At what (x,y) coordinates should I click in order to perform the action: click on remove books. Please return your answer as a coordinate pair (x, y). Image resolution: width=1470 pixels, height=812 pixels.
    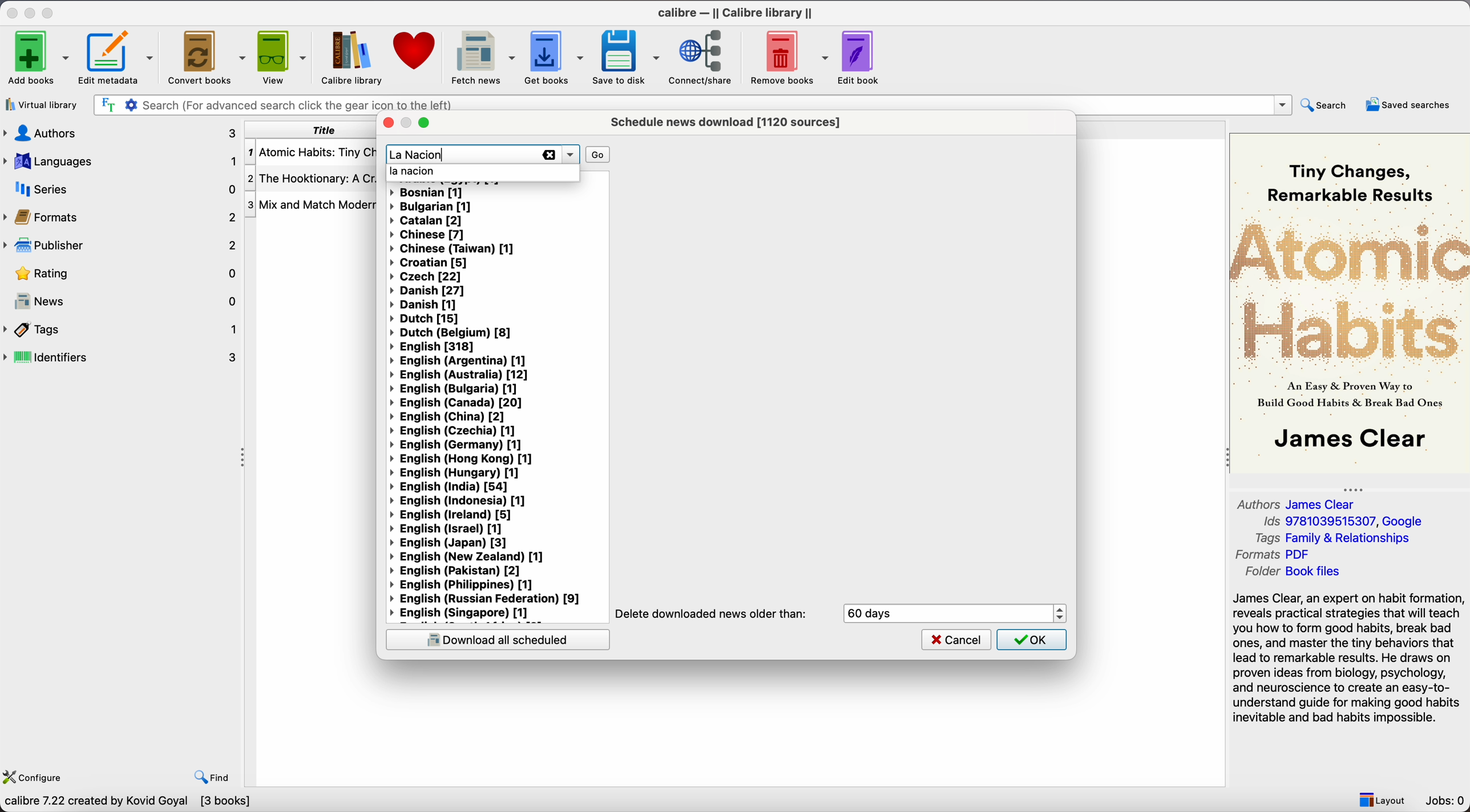
    Looking at the image, I should click on (788, 56).